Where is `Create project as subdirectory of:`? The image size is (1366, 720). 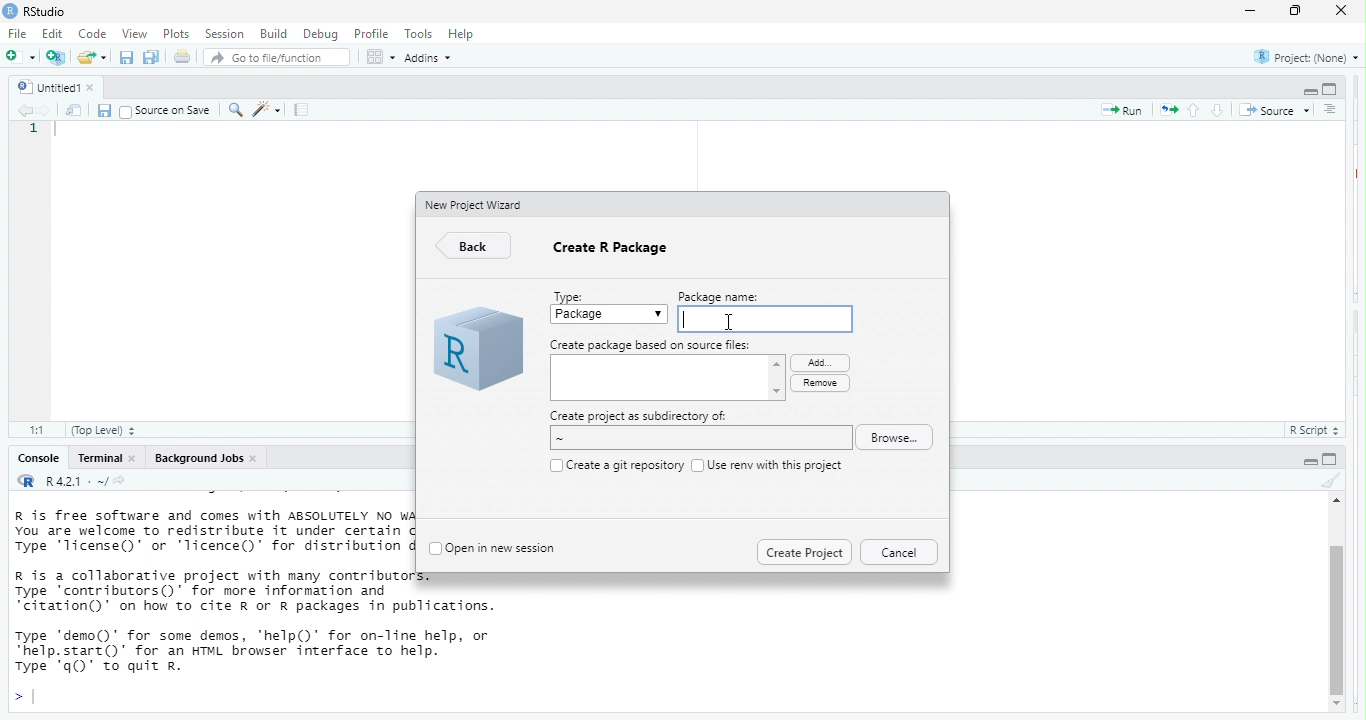 Create project as subdirectory of: is located at coordinates (639, 416).